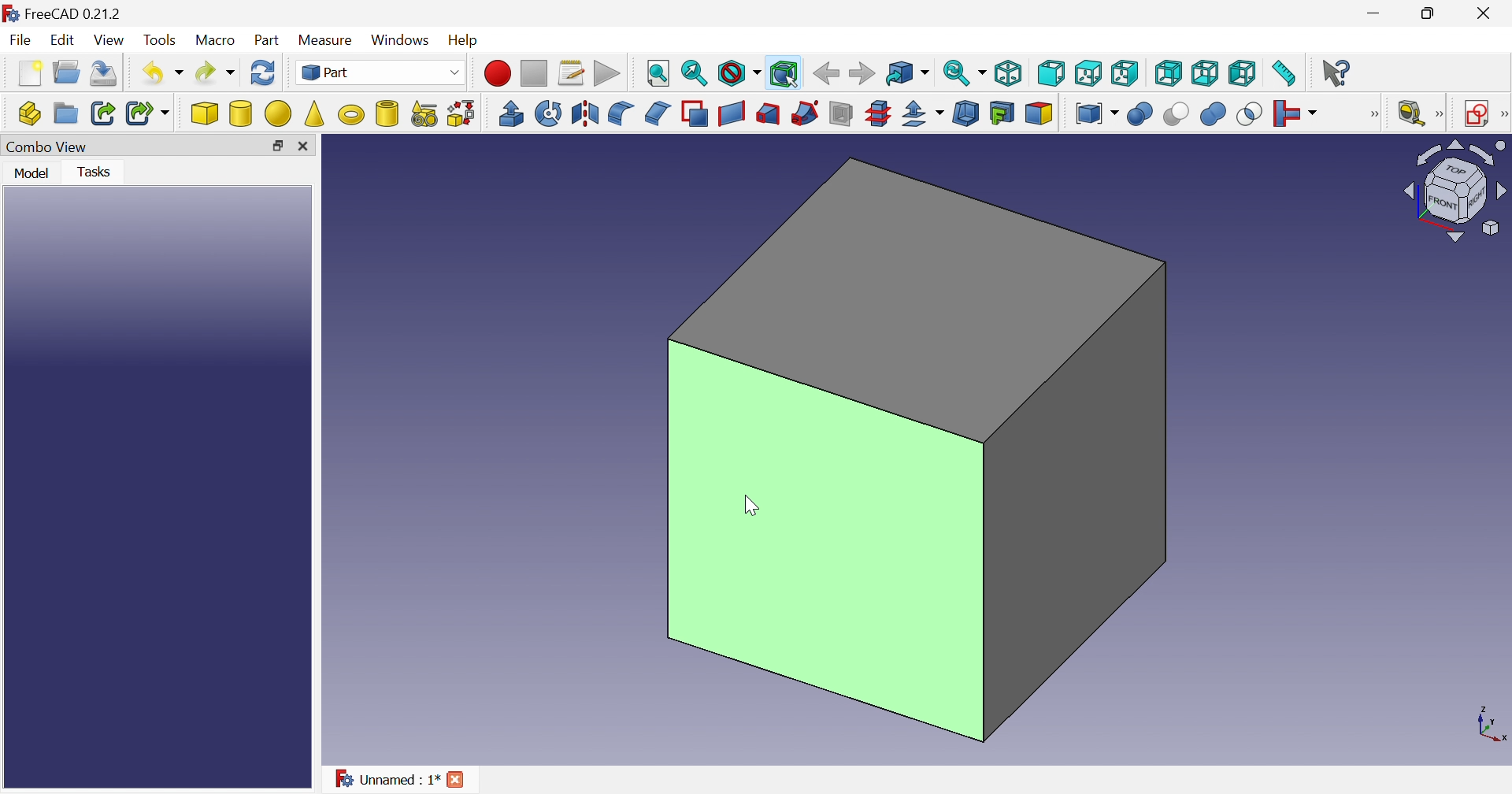 The width and height of the screenshot is (1512, 794). I want to click on Cylinder, so click(242, 113).